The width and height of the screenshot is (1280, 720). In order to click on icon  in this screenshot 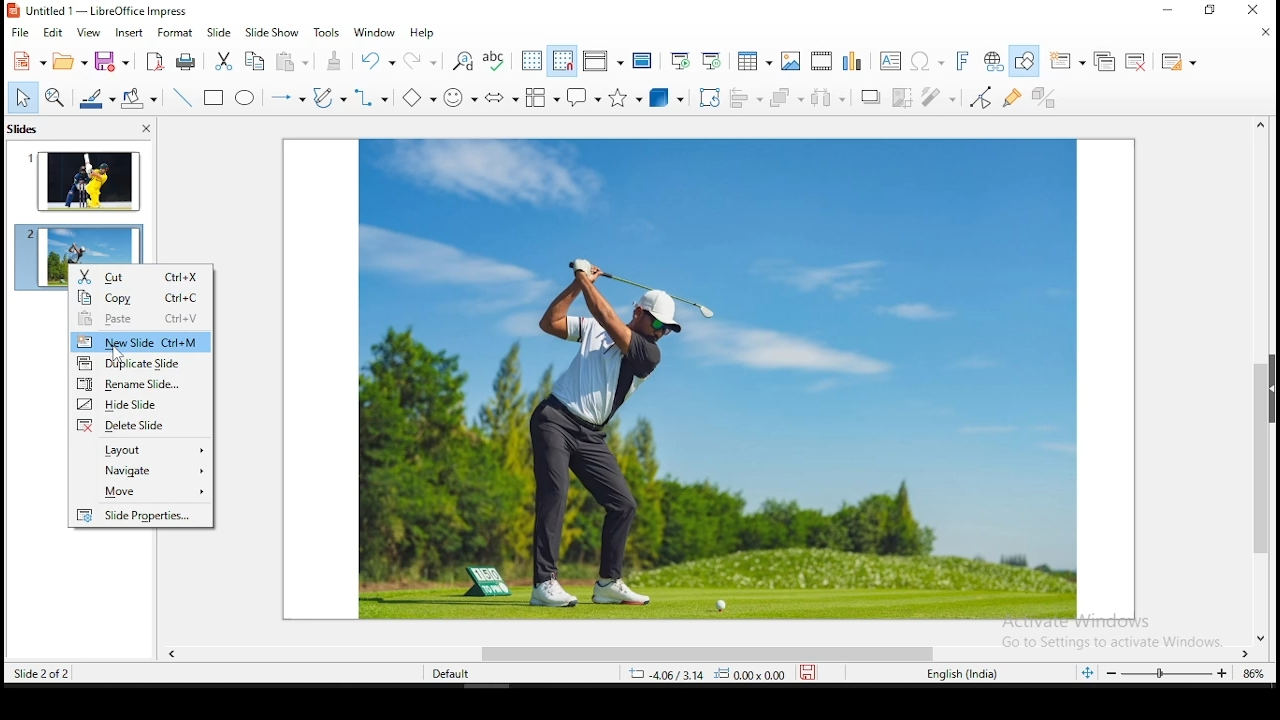, I will do `click(15, 10)`.